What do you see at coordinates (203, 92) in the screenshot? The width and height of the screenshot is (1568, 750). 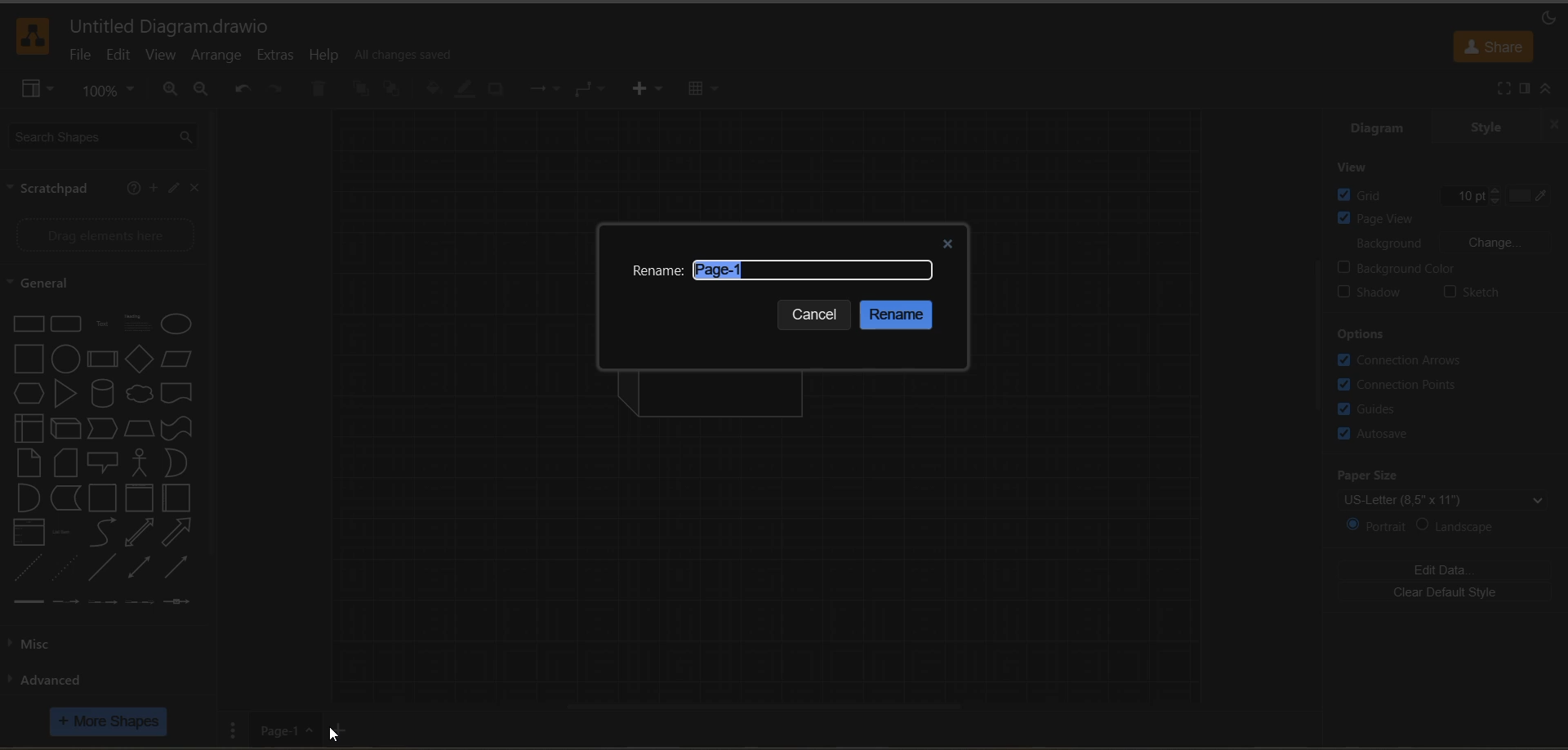 I see `zoom out` at bounding box center [203, 92].